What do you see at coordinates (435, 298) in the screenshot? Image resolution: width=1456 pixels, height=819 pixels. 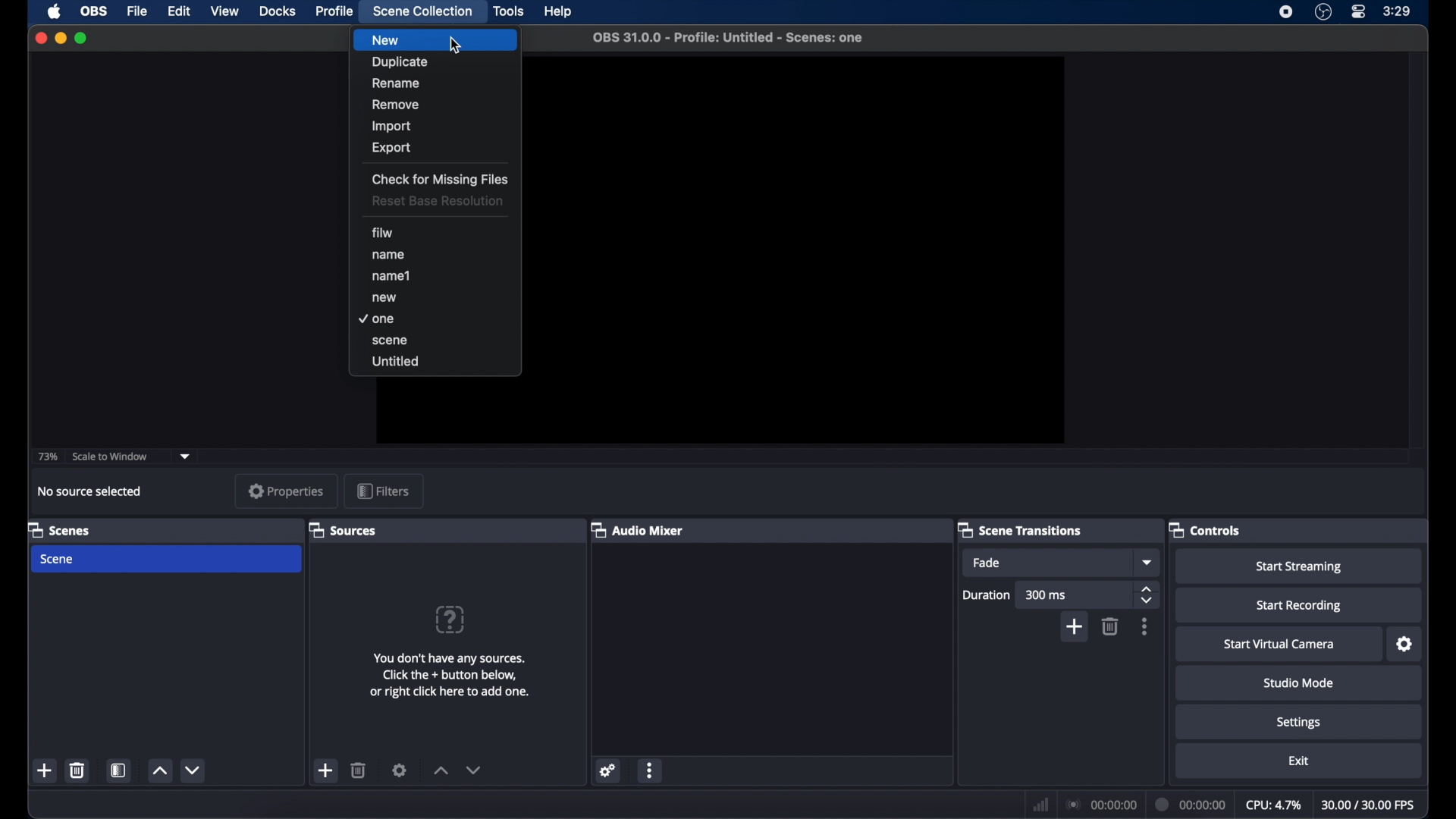 I see `new` at bounding box center [435, 298].